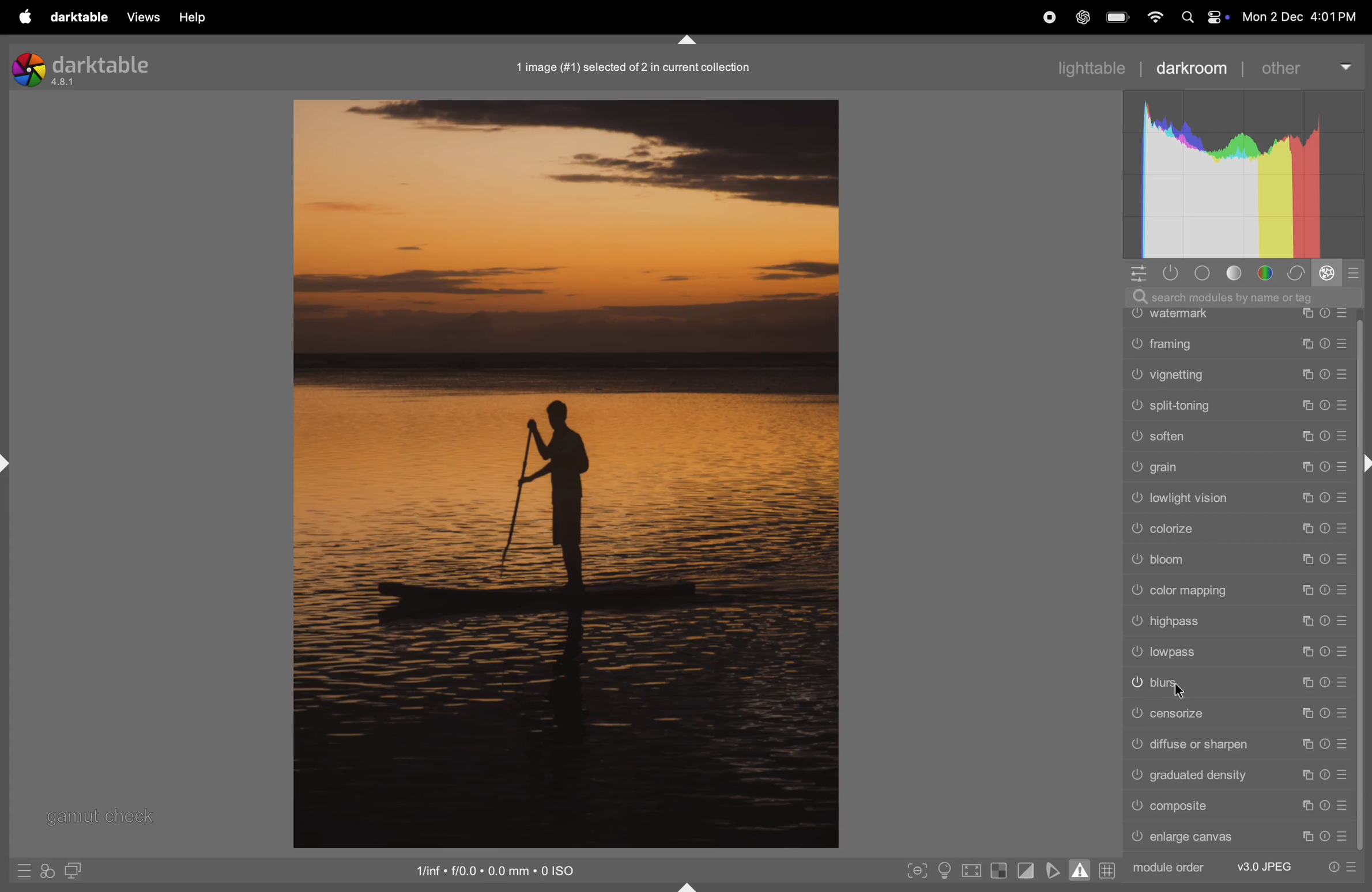  I want to click on other, so click(1304, 66).